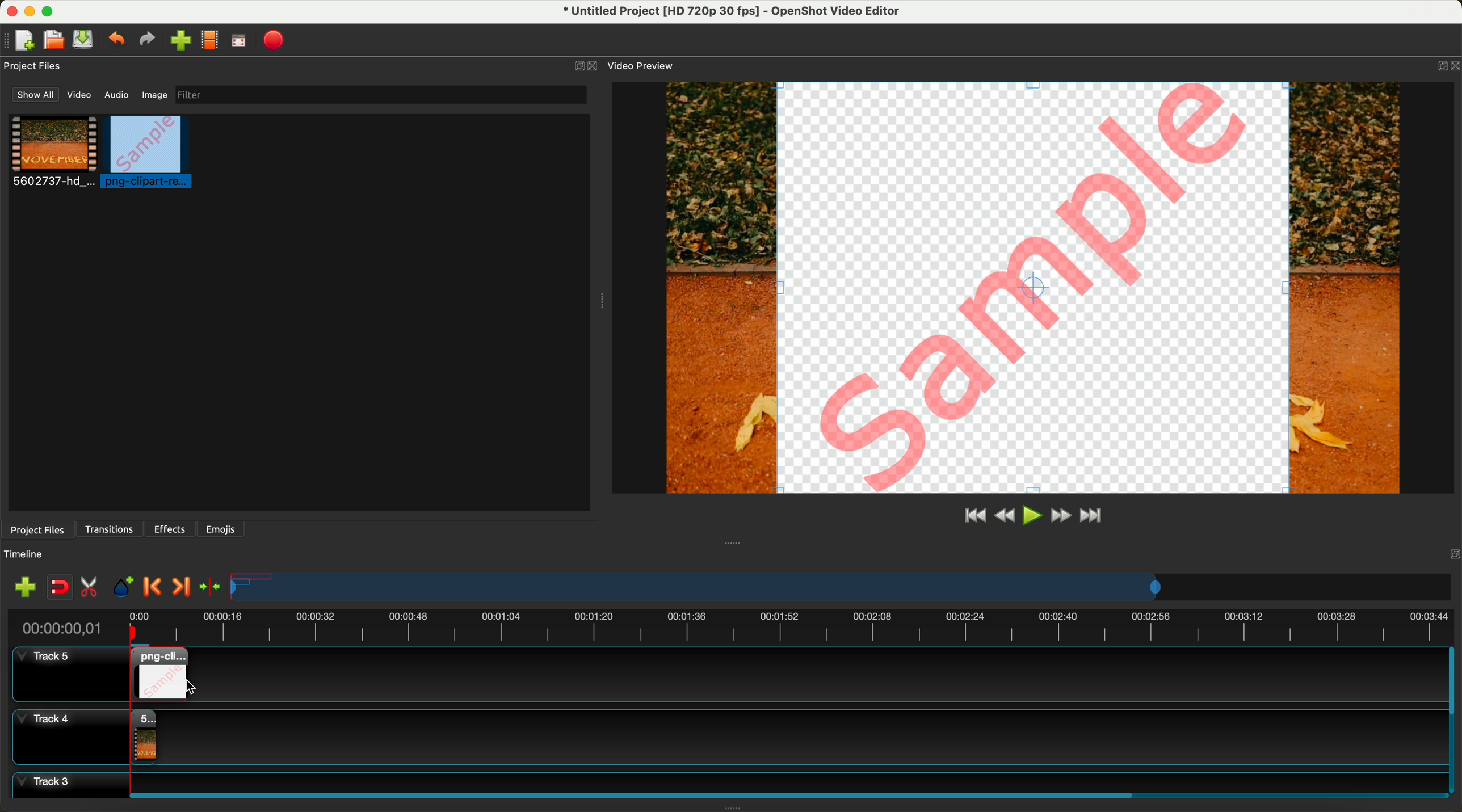 The width and height of the screenshot is (1462, 812). I want to click on click on image, so click(150, 153).